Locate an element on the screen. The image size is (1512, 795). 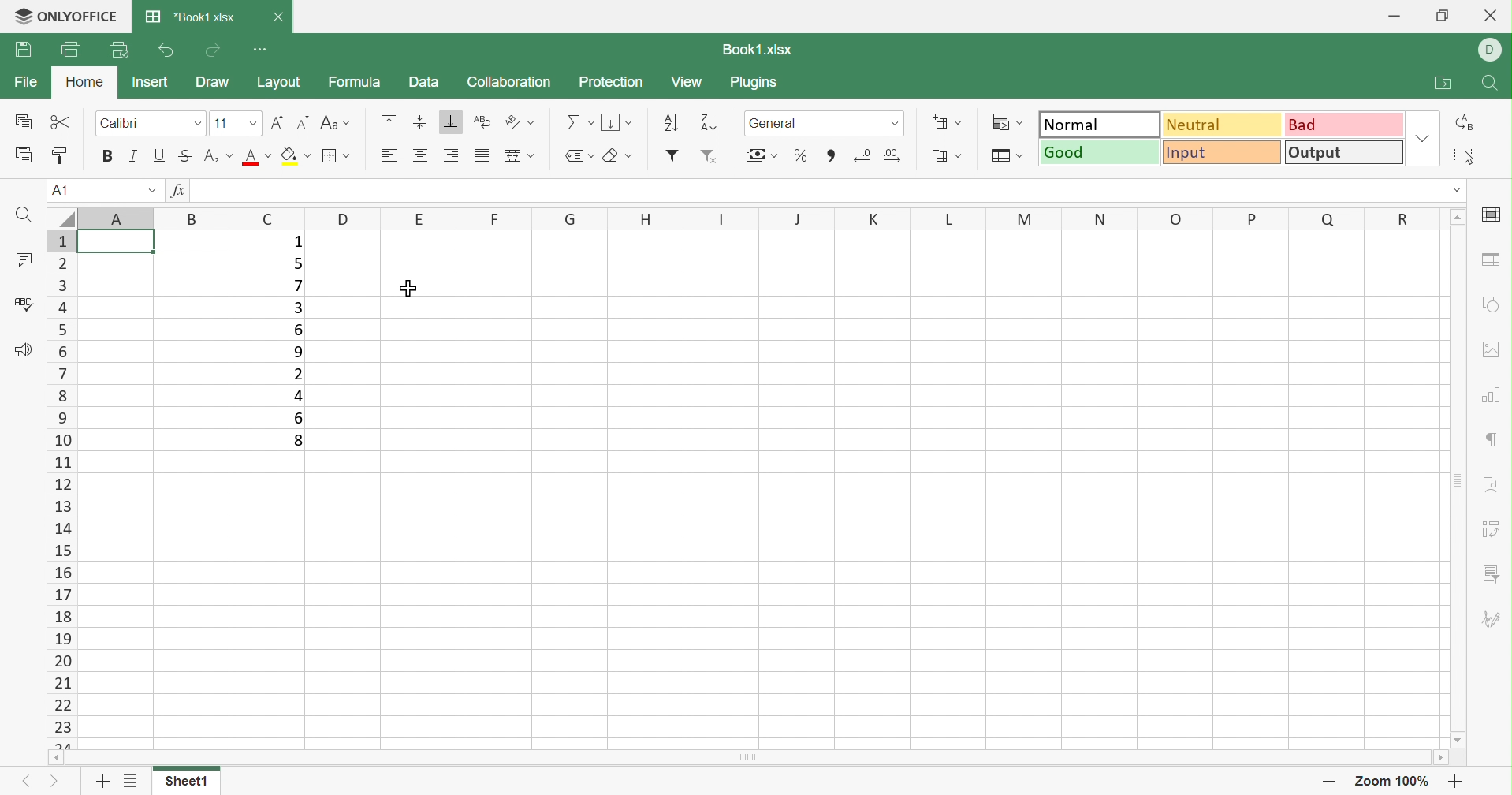
Align Top is located at coordinates (389, 123).